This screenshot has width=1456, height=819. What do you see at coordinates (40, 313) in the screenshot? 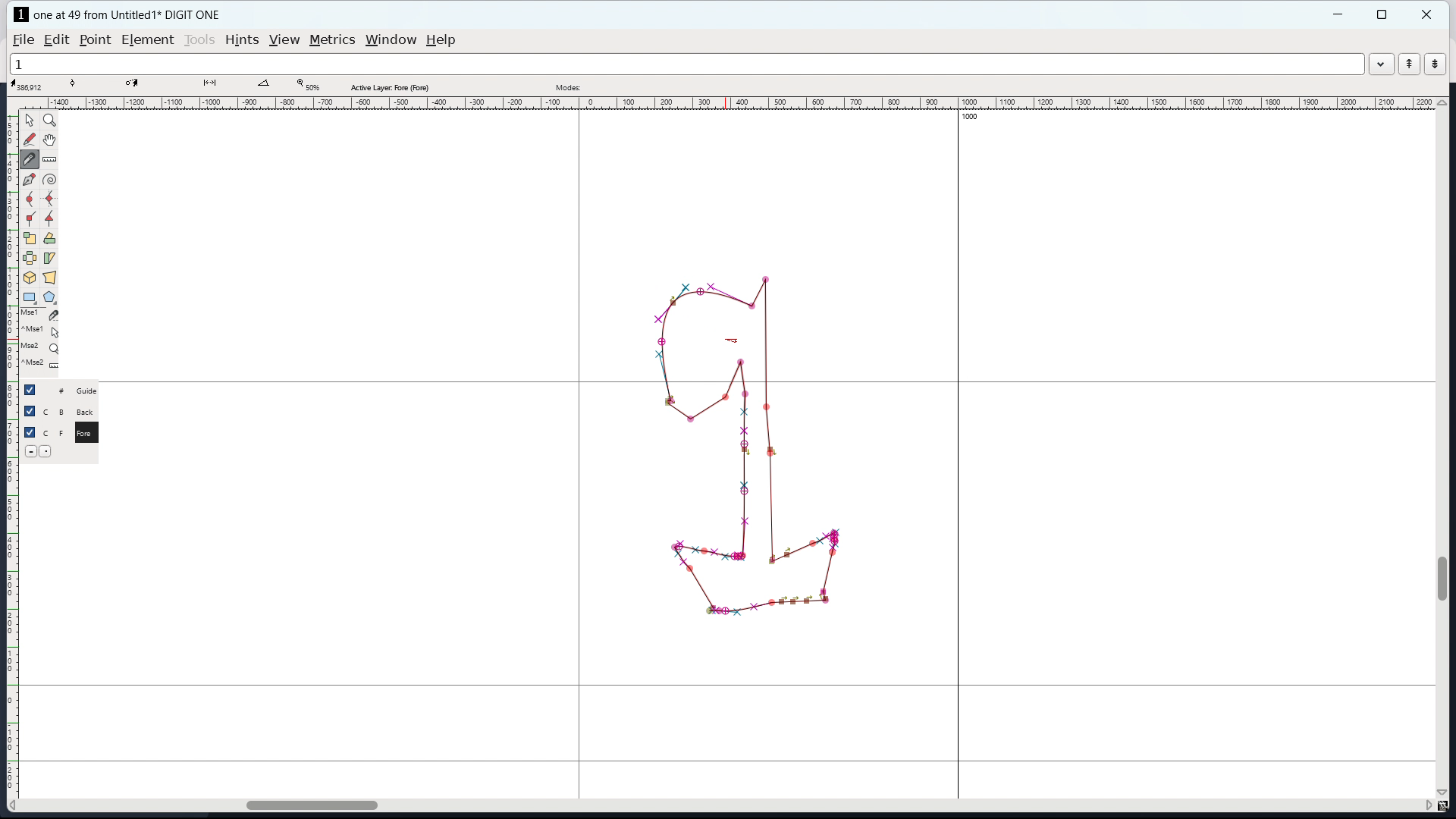
I see `mse1` at bounding box center [40, 313].